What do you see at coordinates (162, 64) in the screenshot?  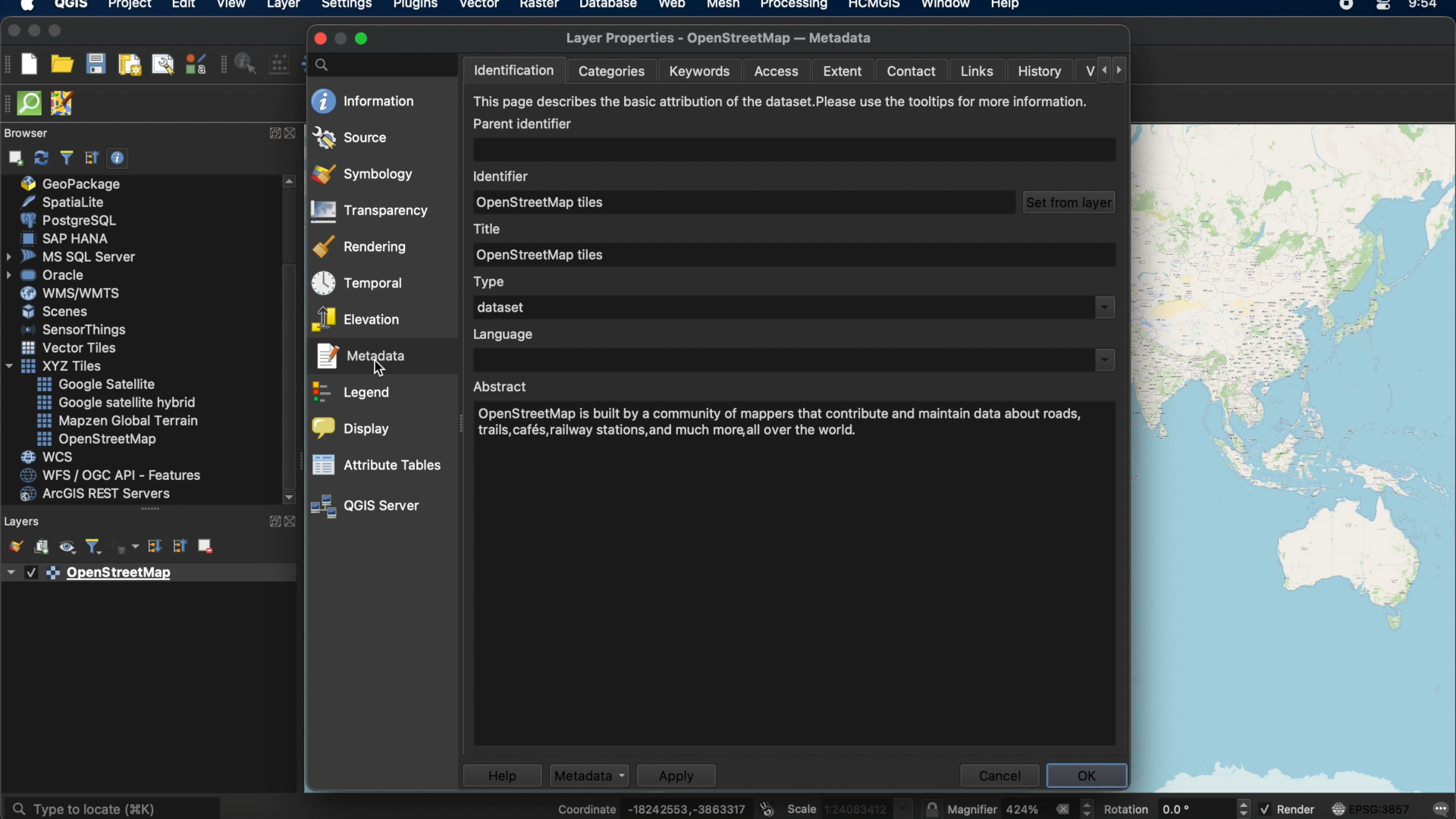 I see `show layout` at bounding box center [162, 64].